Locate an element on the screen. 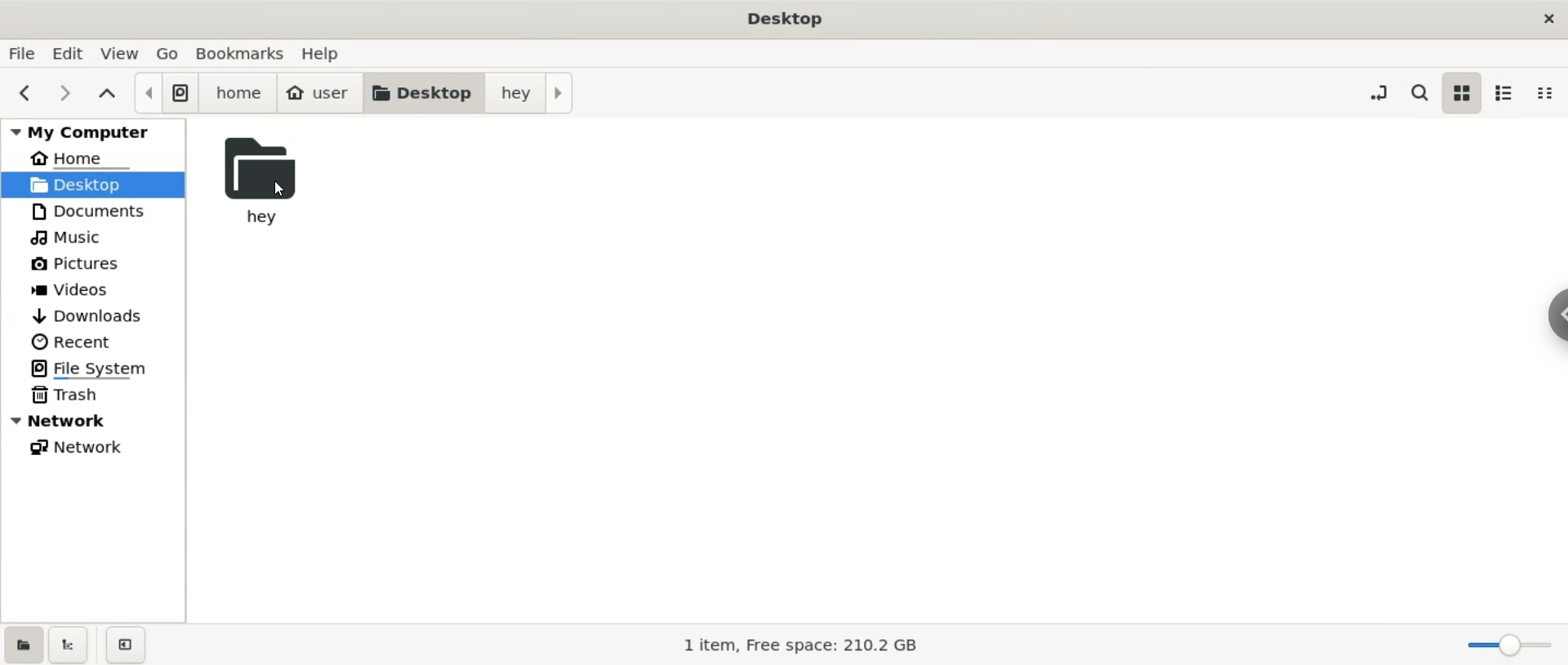  sidebar is located at coordinates (1558, 316).